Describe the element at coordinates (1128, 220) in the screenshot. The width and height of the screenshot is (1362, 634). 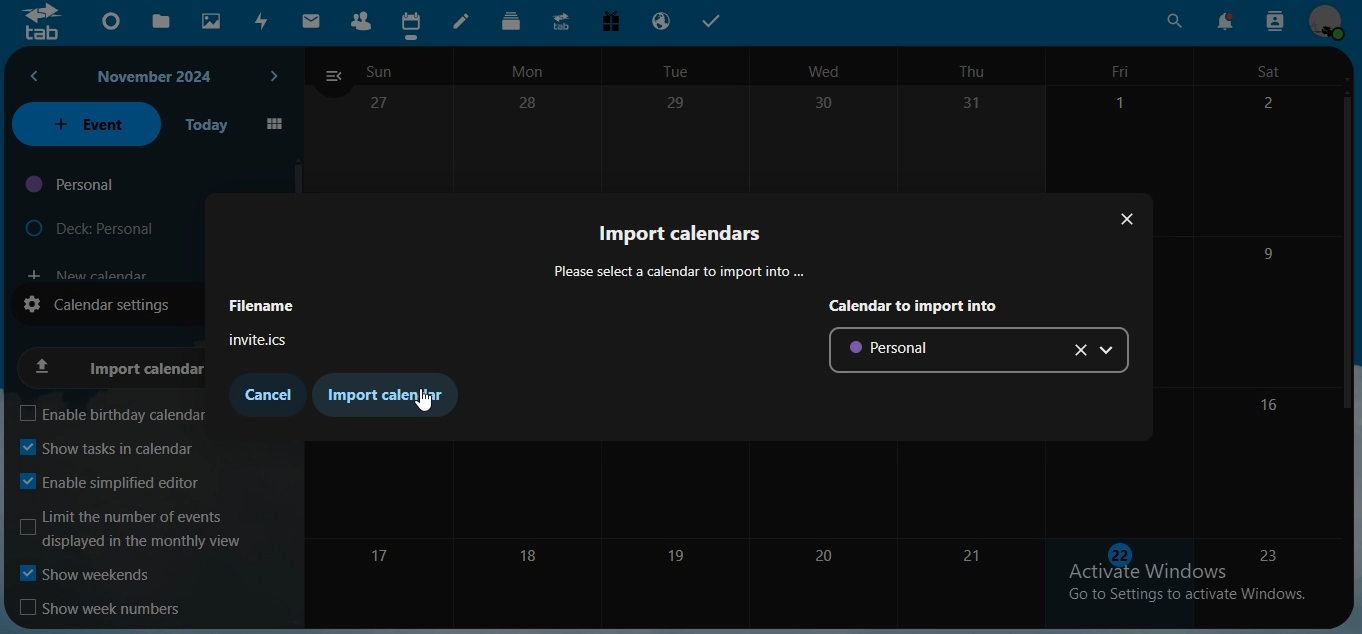
I see `close` at that location.